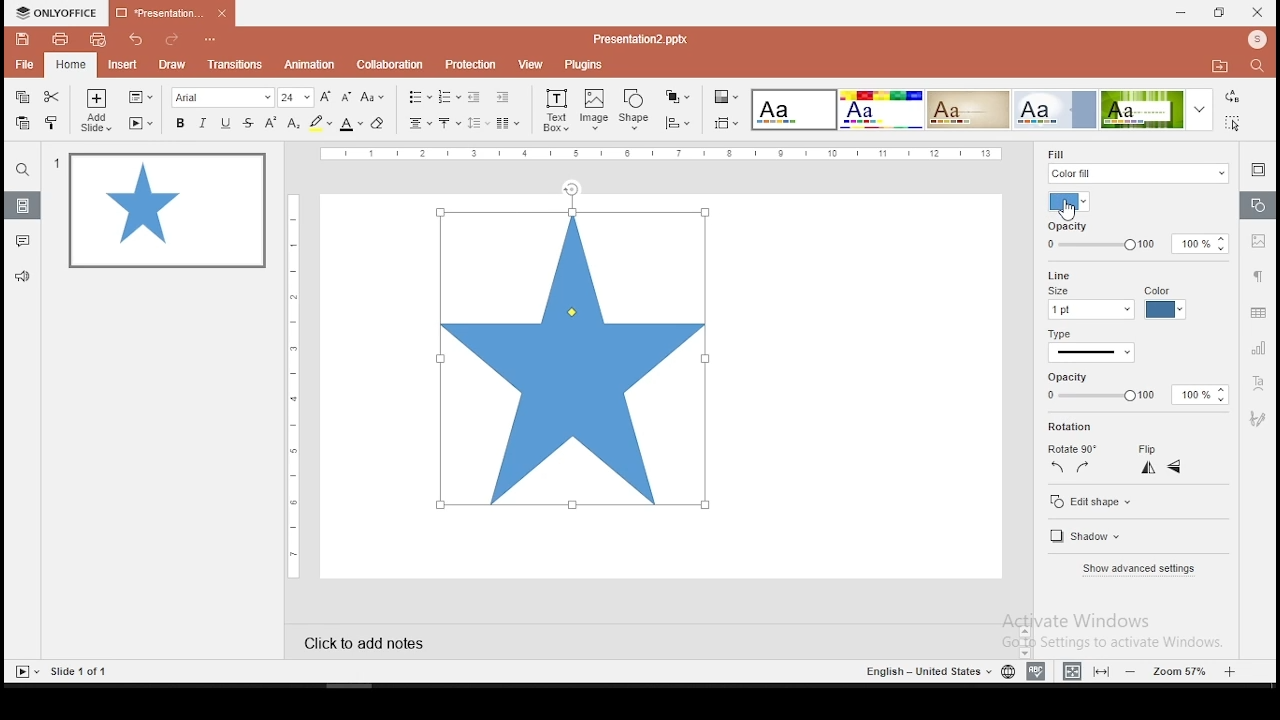 The width and height of the screenshot is (1280, 720). Describe the element at coordinates (1182, 14) in the screenshot. I see `minimize` at that location.